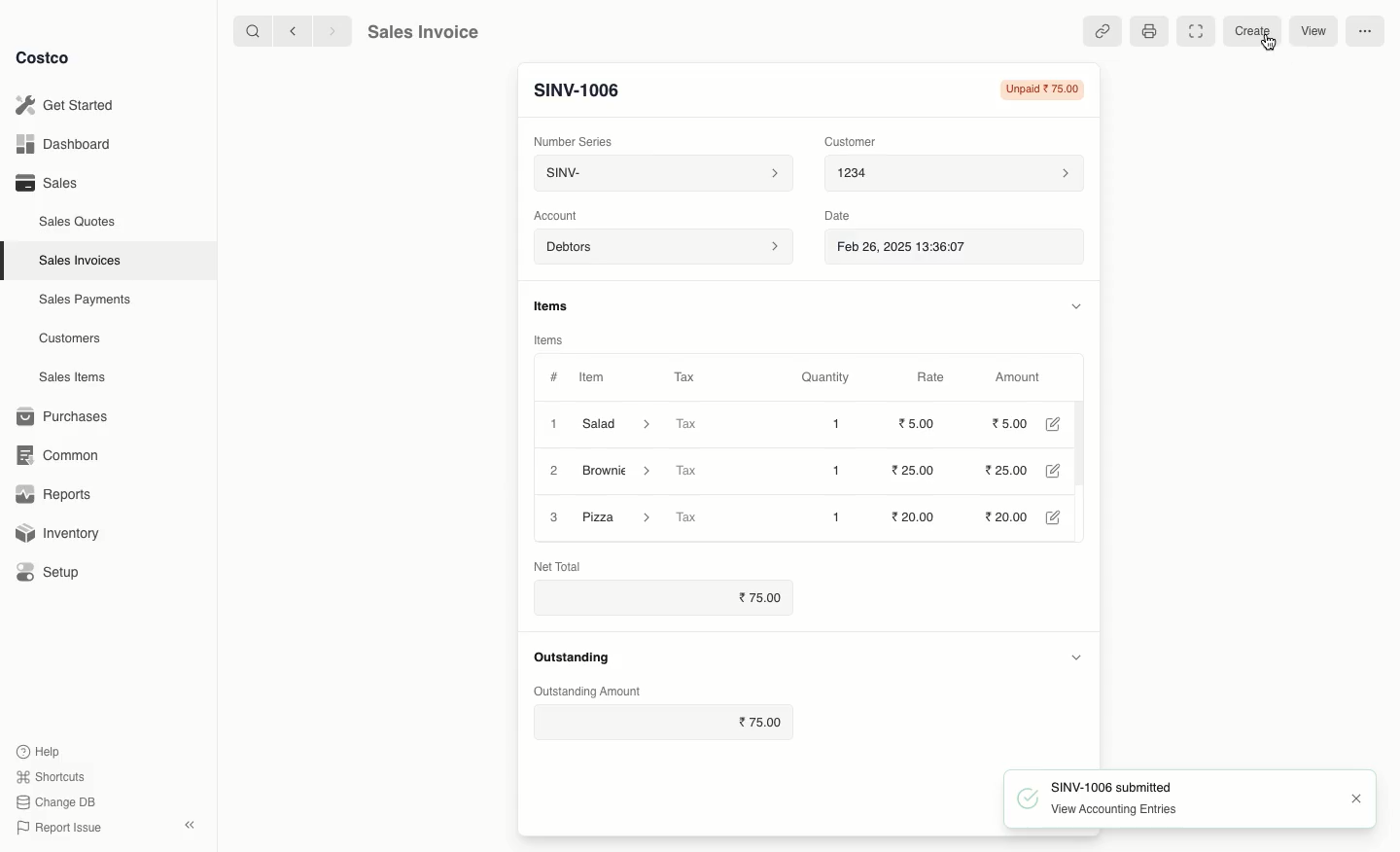  Describe the element at coordinates (1355, 808) in the screenshot. I see `Close` at that location.